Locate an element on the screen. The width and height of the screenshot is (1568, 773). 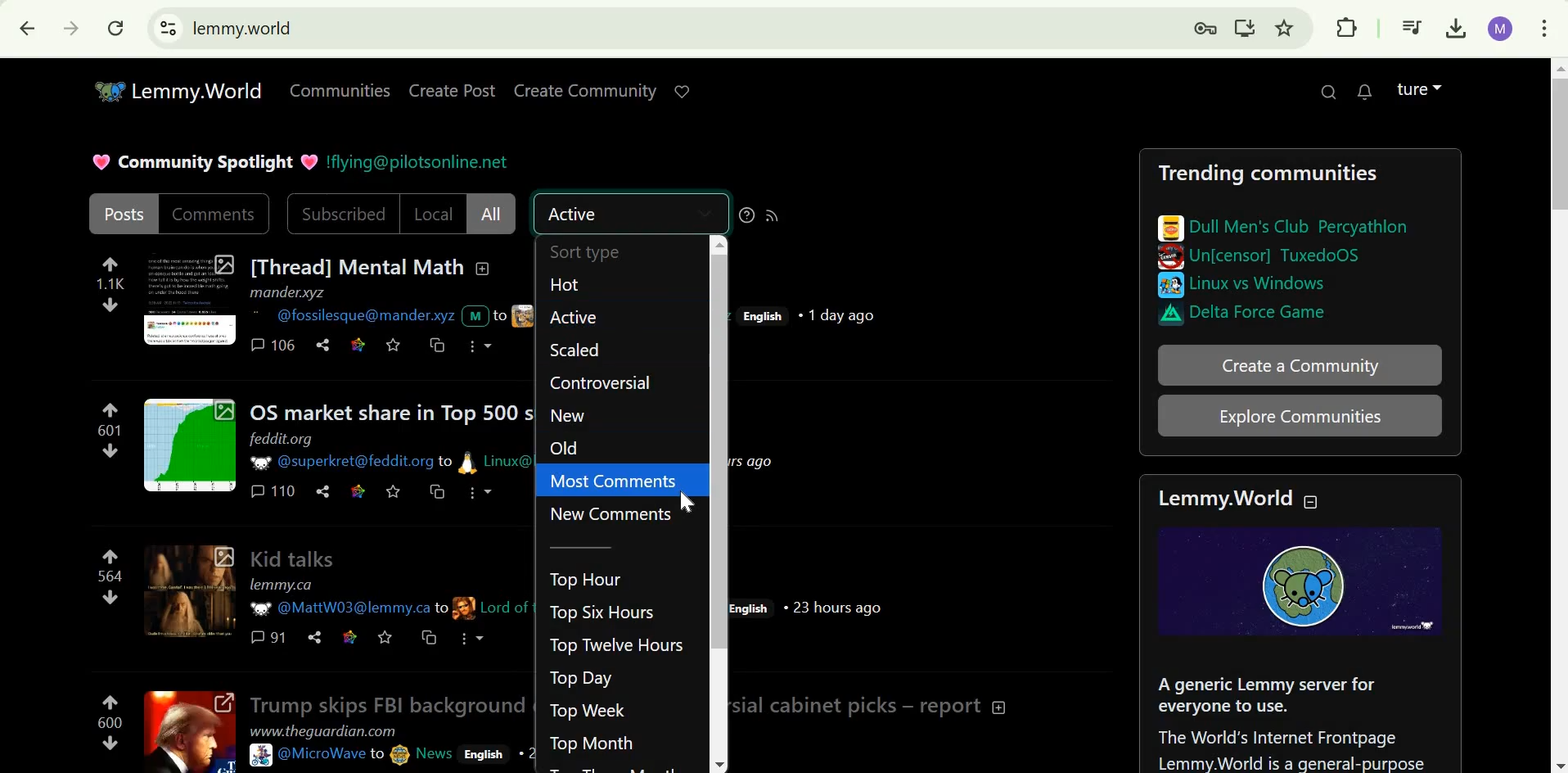
downvote is located at coordinates (111, 450).